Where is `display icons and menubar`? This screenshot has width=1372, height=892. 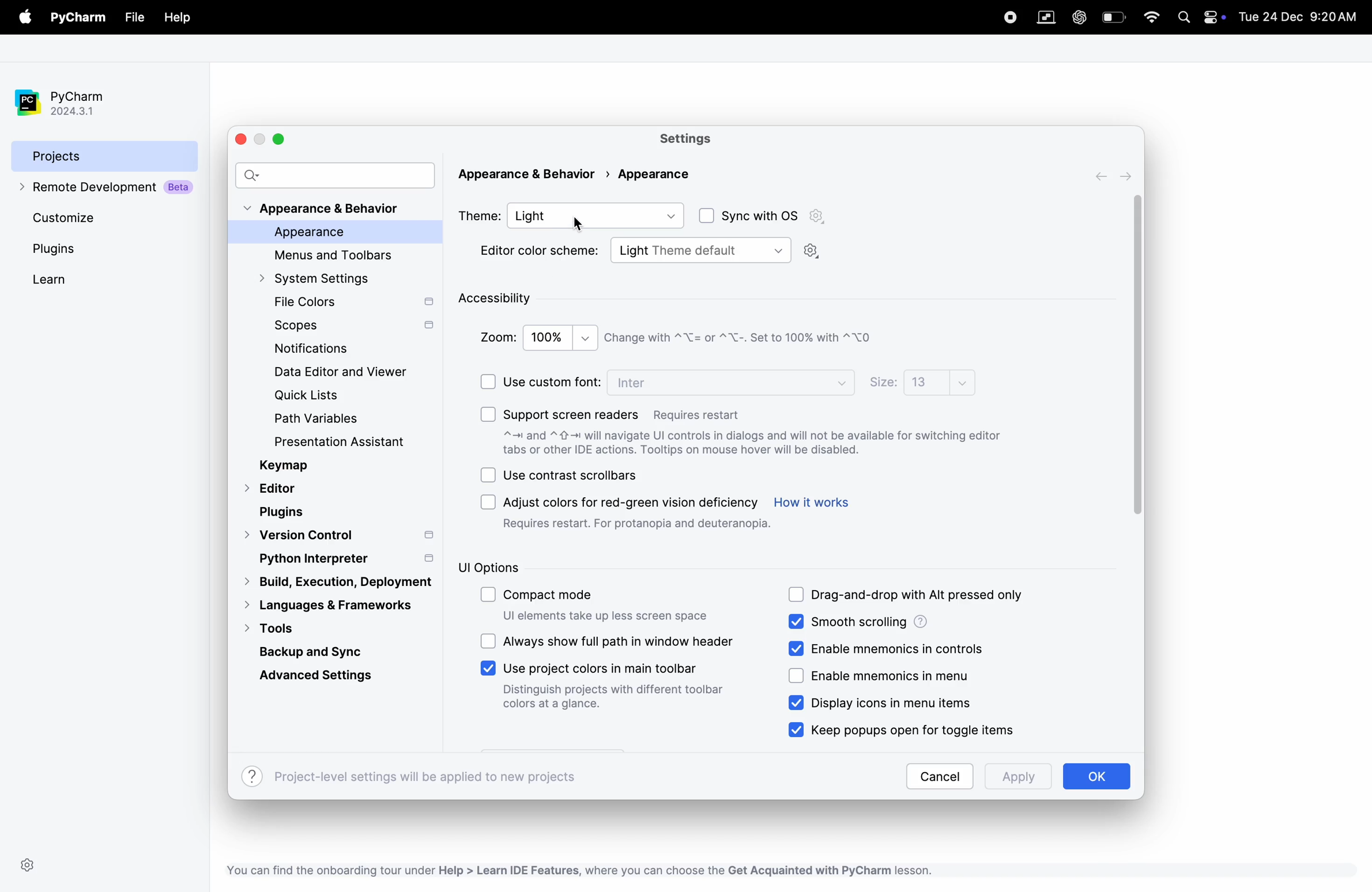 display icons and menubar is located at coordinates (872, 703).